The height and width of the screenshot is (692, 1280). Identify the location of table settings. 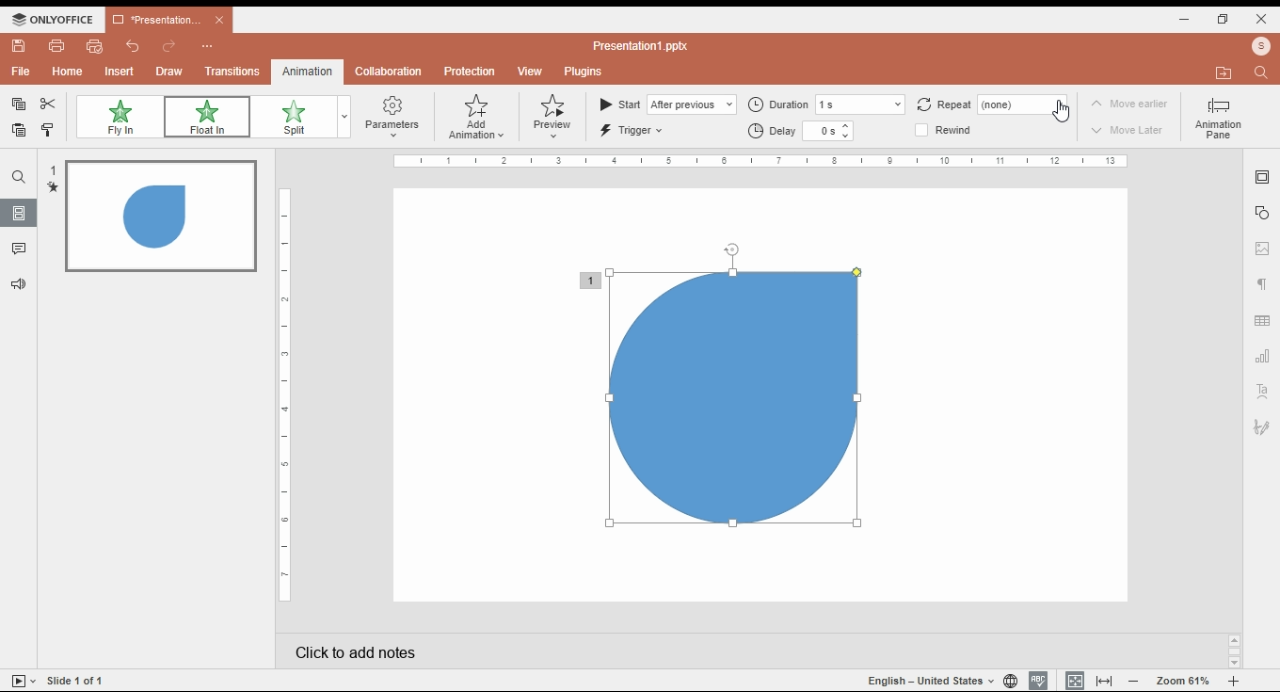
(1262, 318).